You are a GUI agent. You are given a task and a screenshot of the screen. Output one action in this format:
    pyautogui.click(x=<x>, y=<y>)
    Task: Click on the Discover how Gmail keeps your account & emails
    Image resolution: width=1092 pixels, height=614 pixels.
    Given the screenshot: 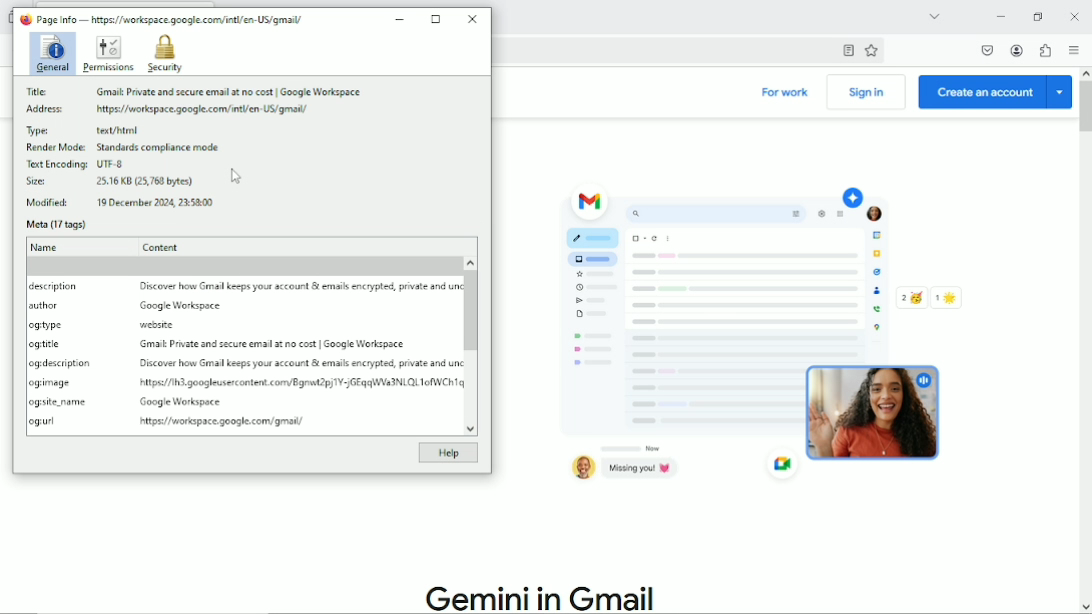 What is the action you would take?
    pyautogui.click(x=301, y=365)
    